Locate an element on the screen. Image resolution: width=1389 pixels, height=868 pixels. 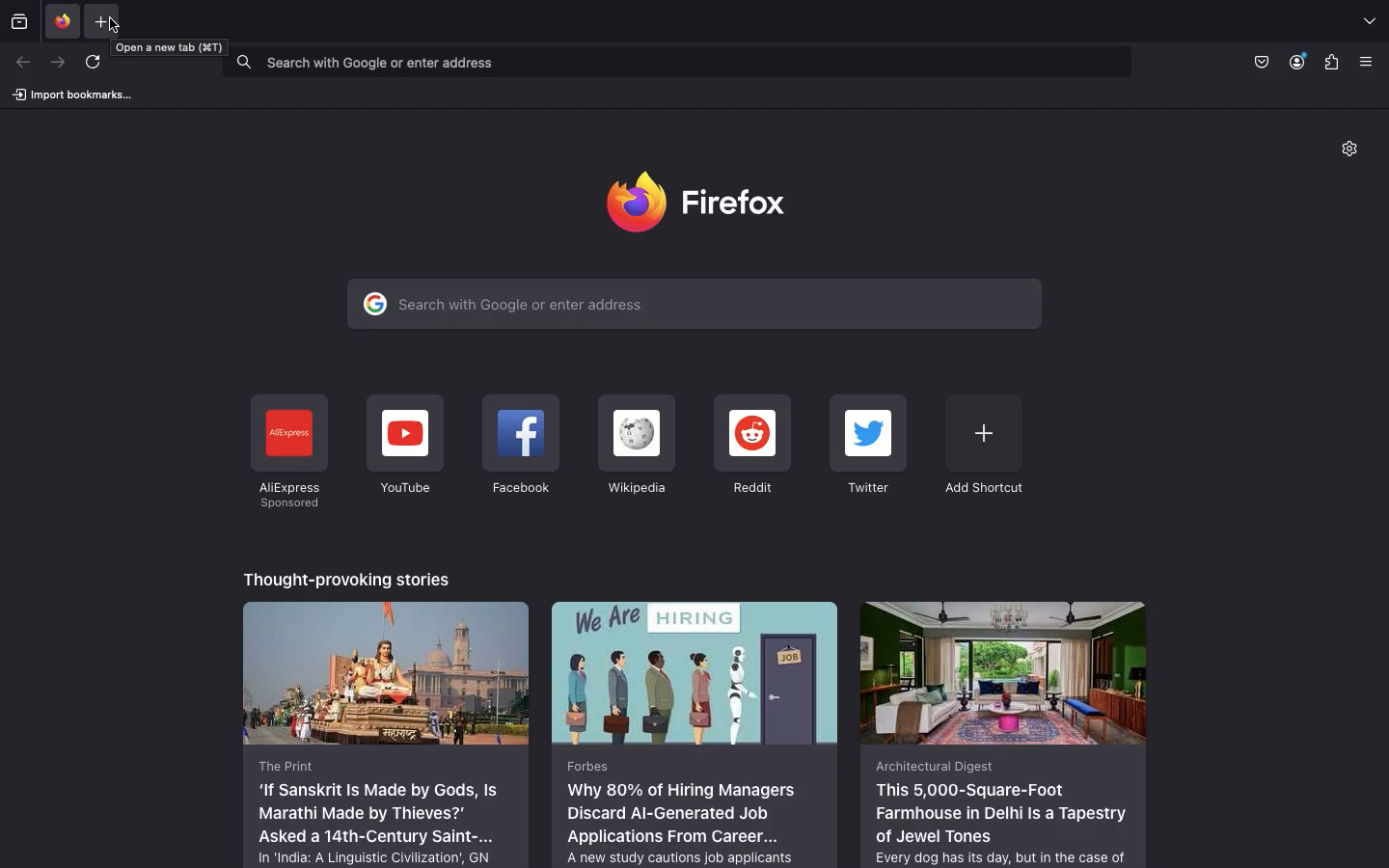
Add shortcut is located at coordinates (983, 444).